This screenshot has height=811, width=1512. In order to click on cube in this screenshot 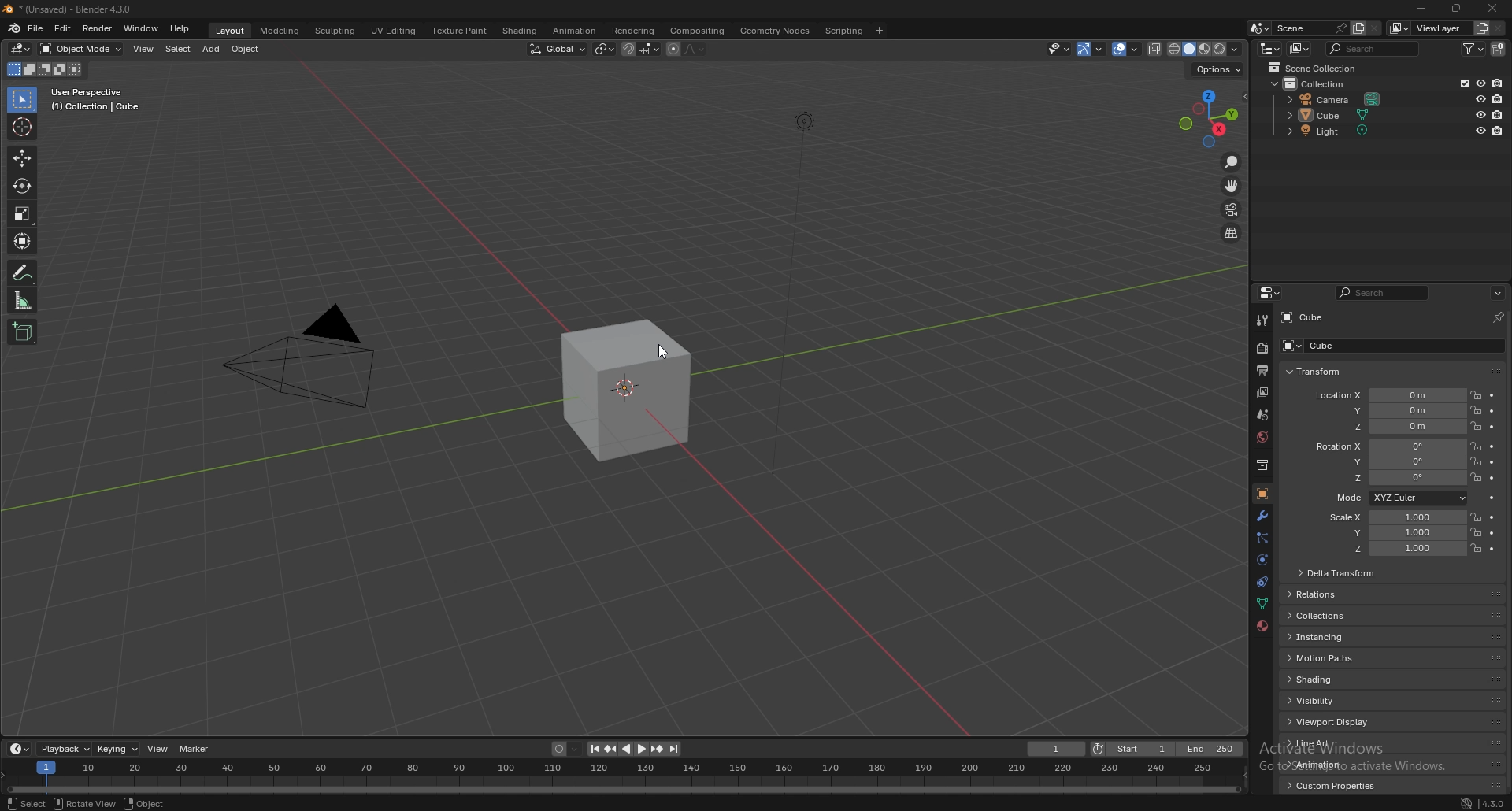, I will do `click(1303, 317)`.